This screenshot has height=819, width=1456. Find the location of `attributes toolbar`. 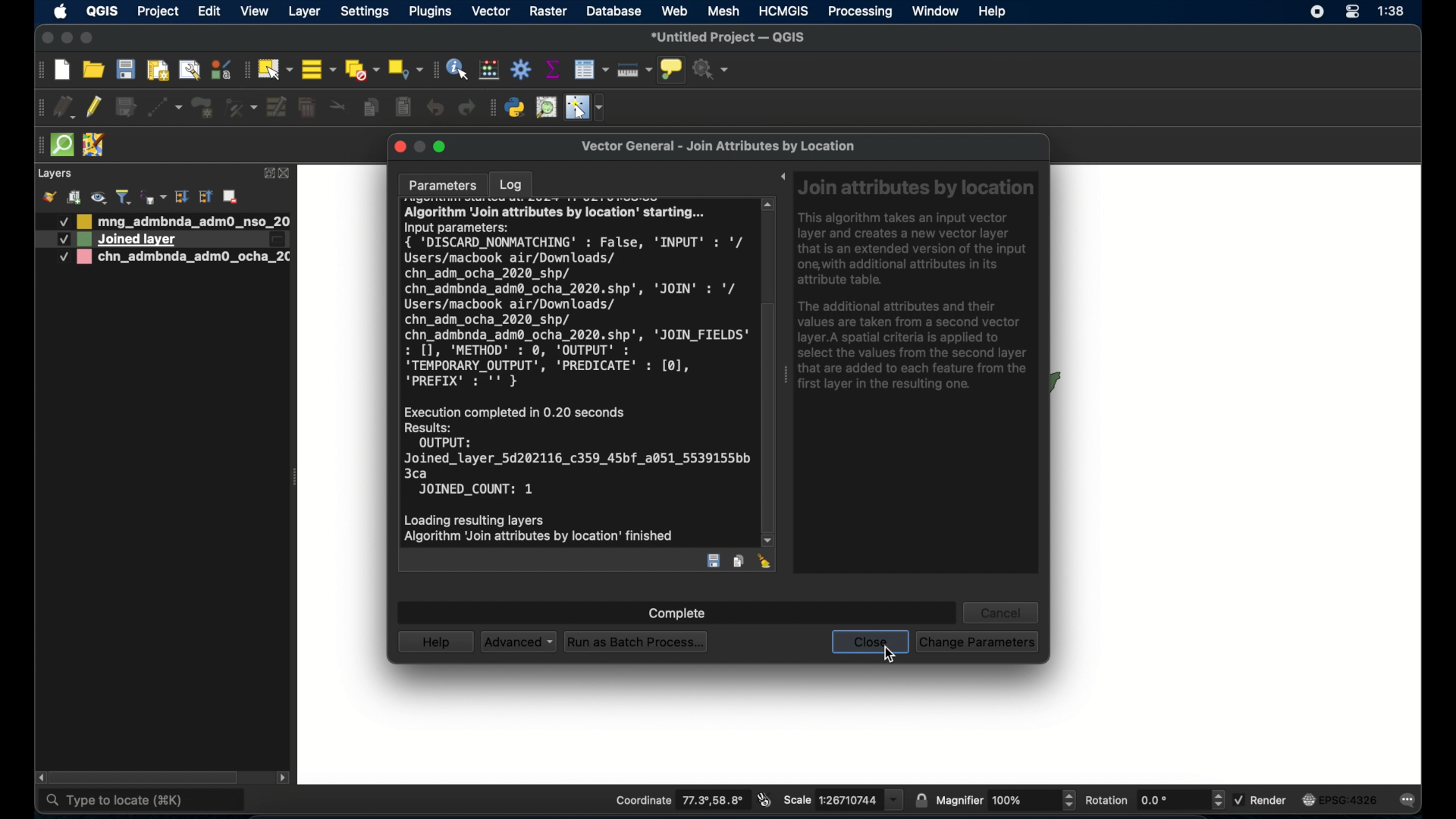

attributes toolbar is located at coordinates (433, 69).